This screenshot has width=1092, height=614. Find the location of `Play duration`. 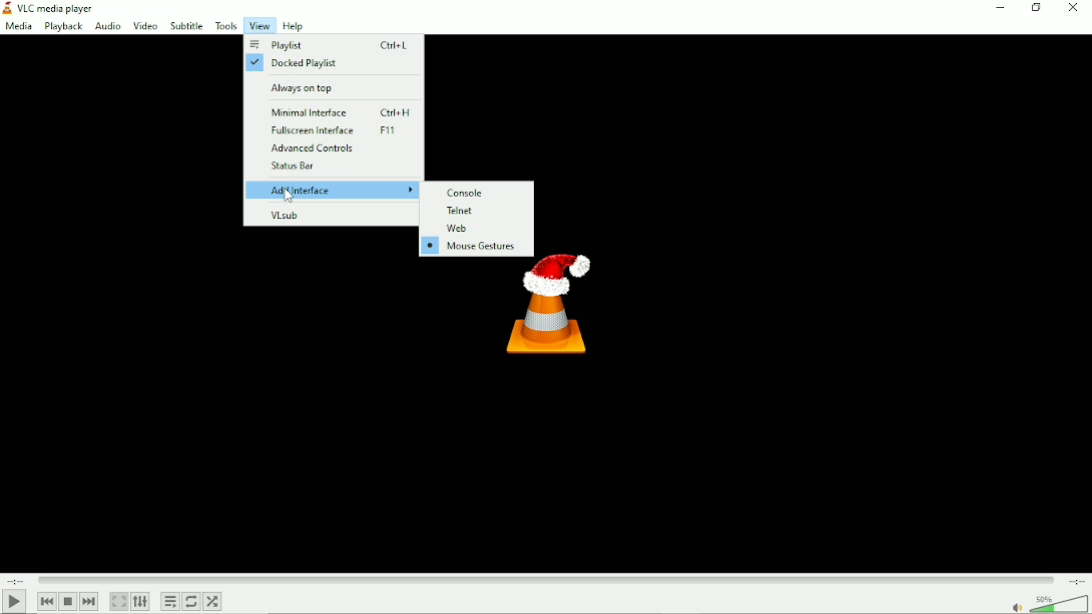

Play duration is located at coordinates (544, 578).